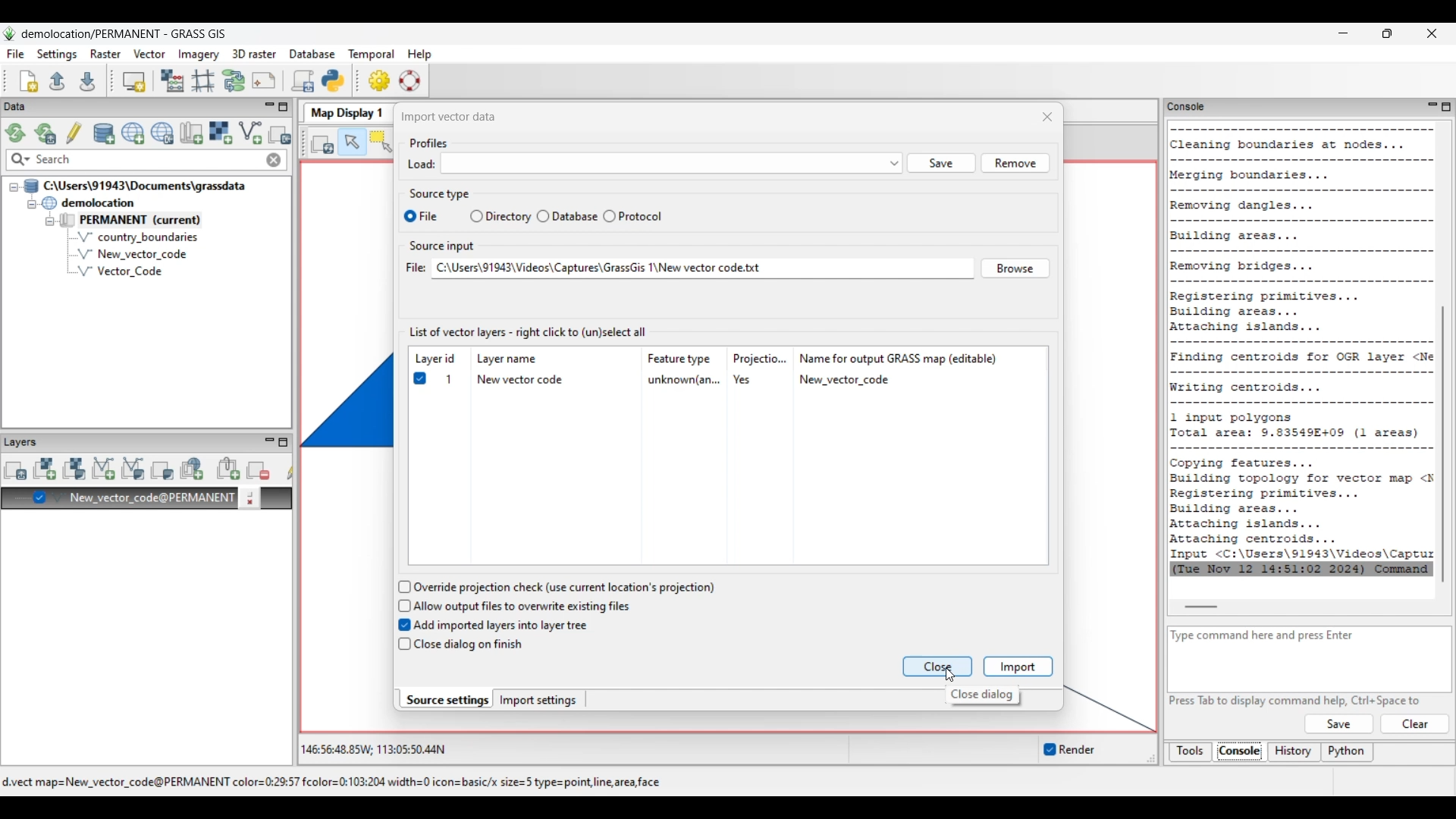 This screenshot has width=1456, height=819. Describe the element at coordinates (31, 205) in the screenshot. I see `Collapse demolition` at that location.